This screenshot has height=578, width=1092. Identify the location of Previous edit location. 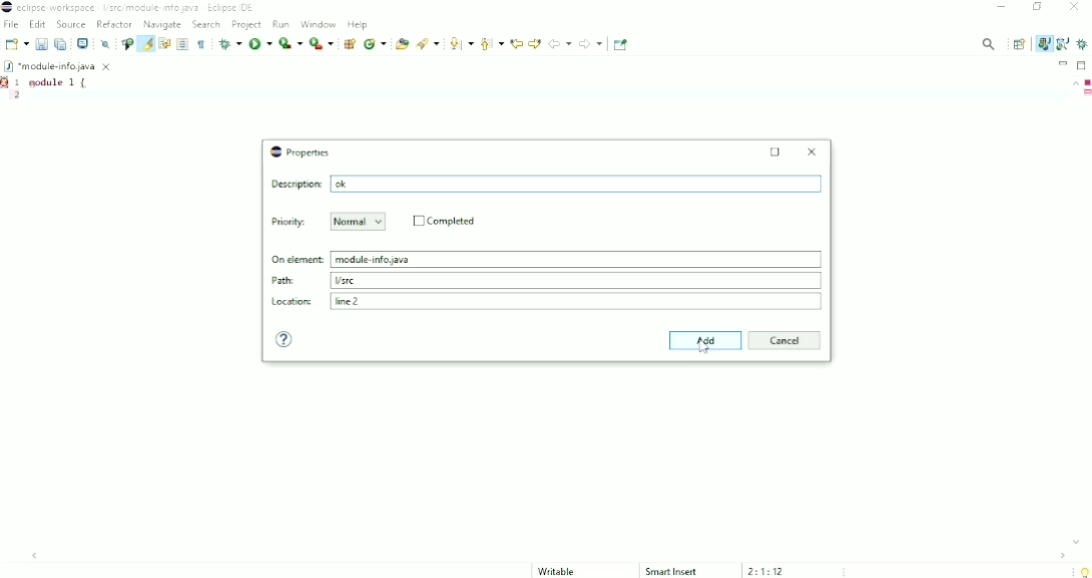
(516, 43).